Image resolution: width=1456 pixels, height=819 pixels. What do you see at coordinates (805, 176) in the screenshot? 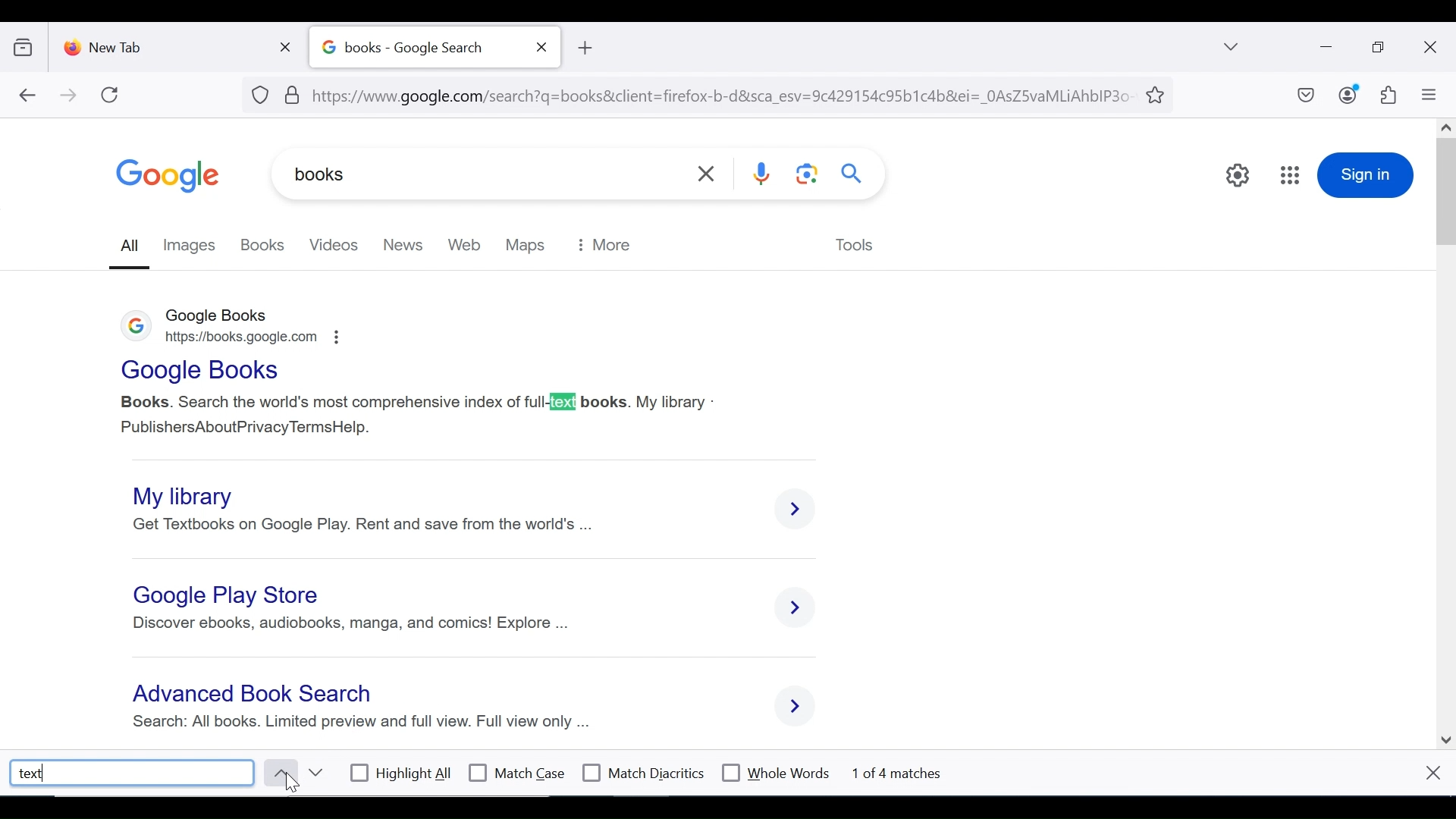
I see `google lens` at bounding box center [805, 176].